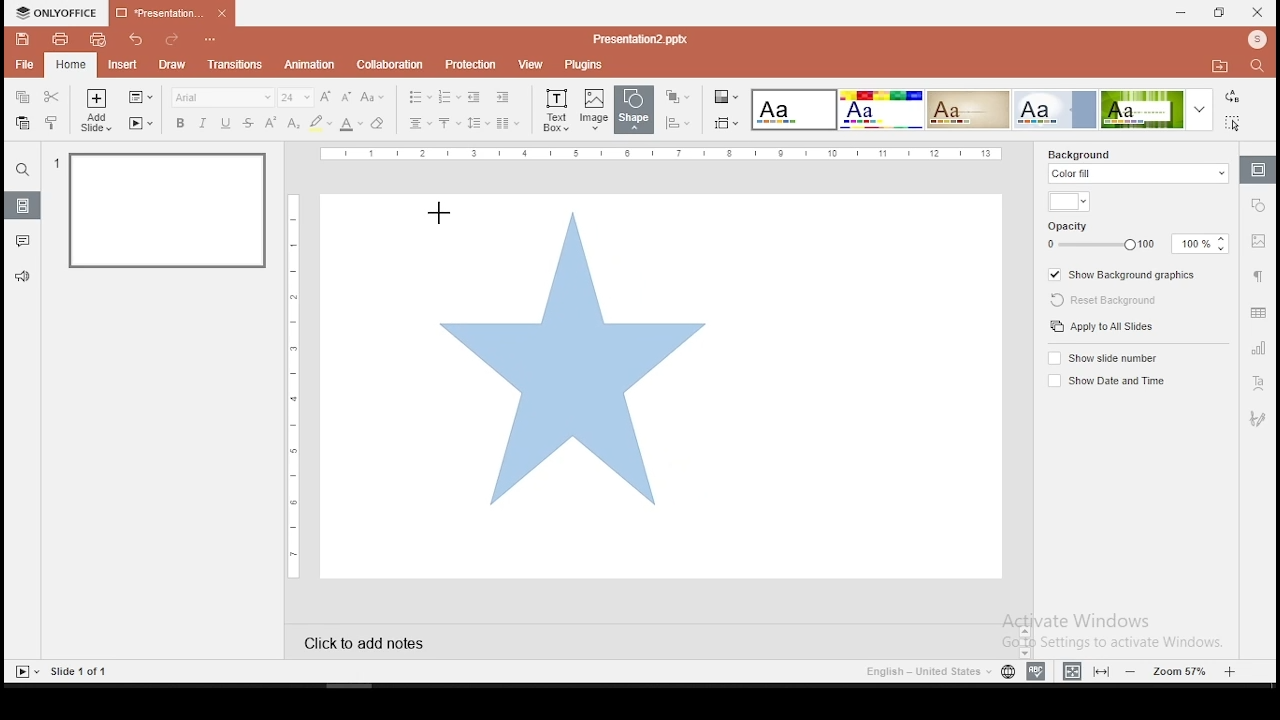 This screenshot has width=1280, height=720. What do you see at coordinates (1258, 312) in the screenshot?
I see `table settings` at bounding box center [1258, 312].